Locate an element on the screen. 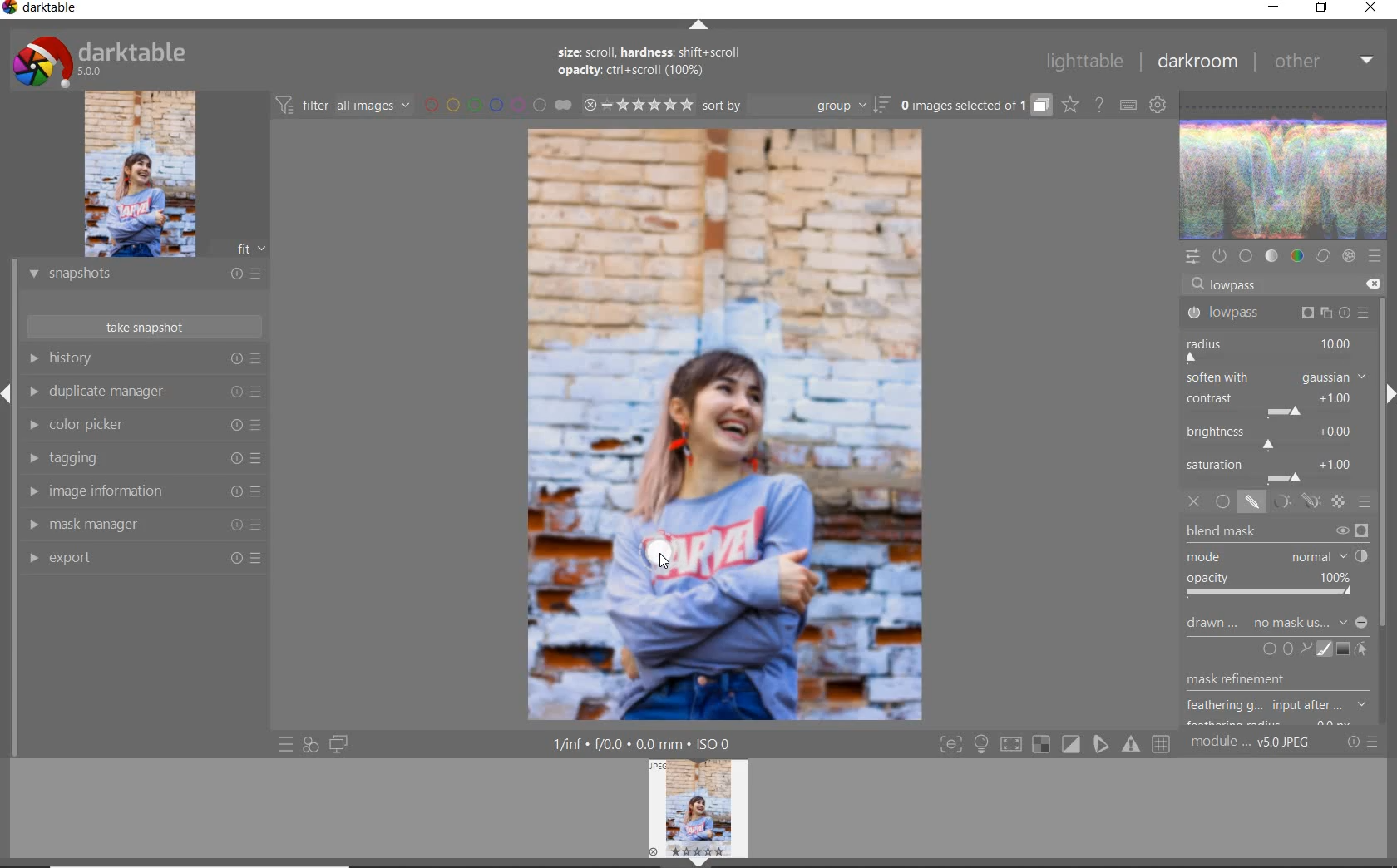  delete is located at coordinates (1370, 283).